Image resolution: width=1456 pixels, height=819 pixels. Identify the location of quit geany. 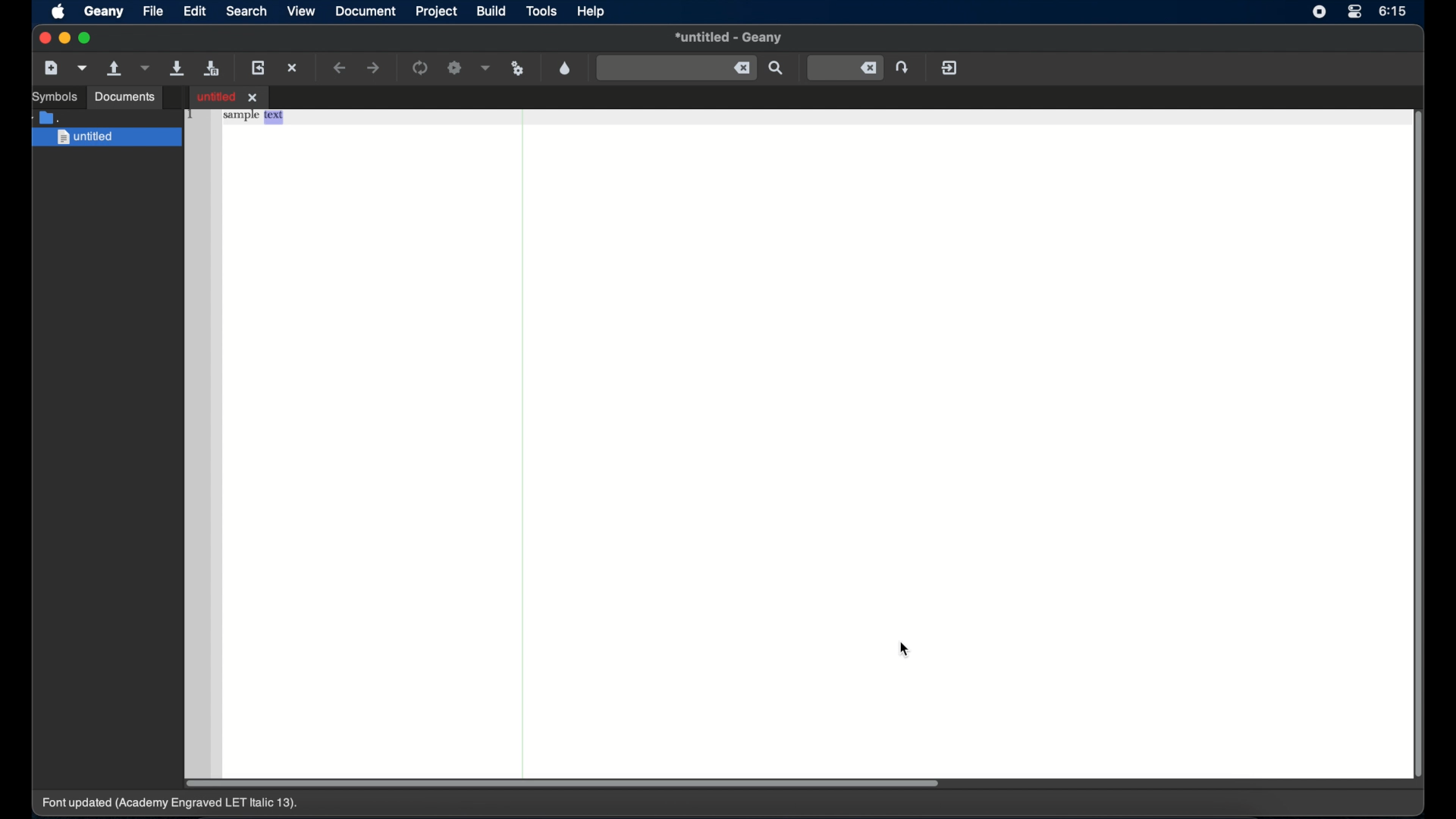
(949, 67).